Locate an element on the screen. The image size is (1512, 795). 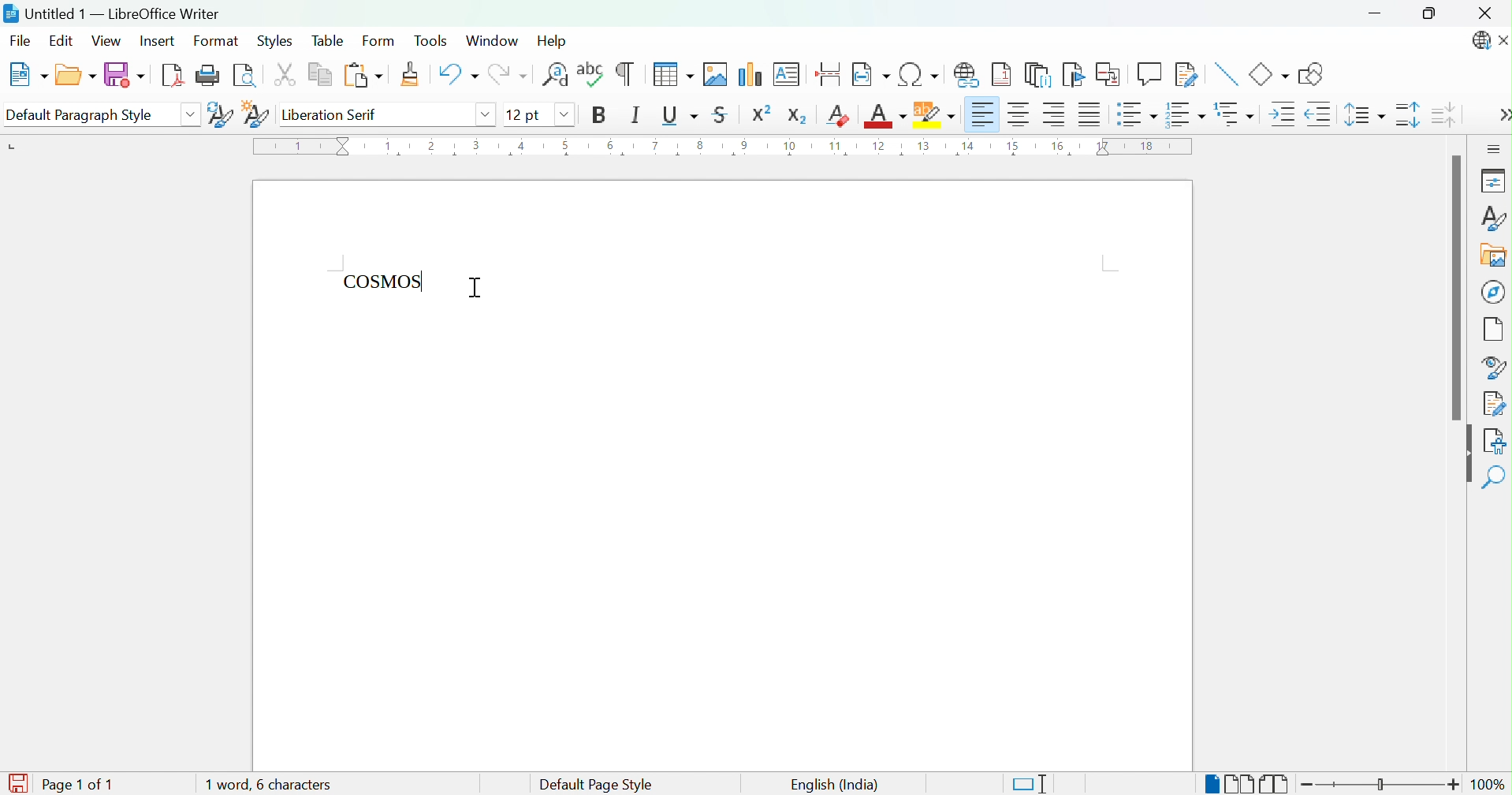
Insert Field is located at coordinates (869, 73).